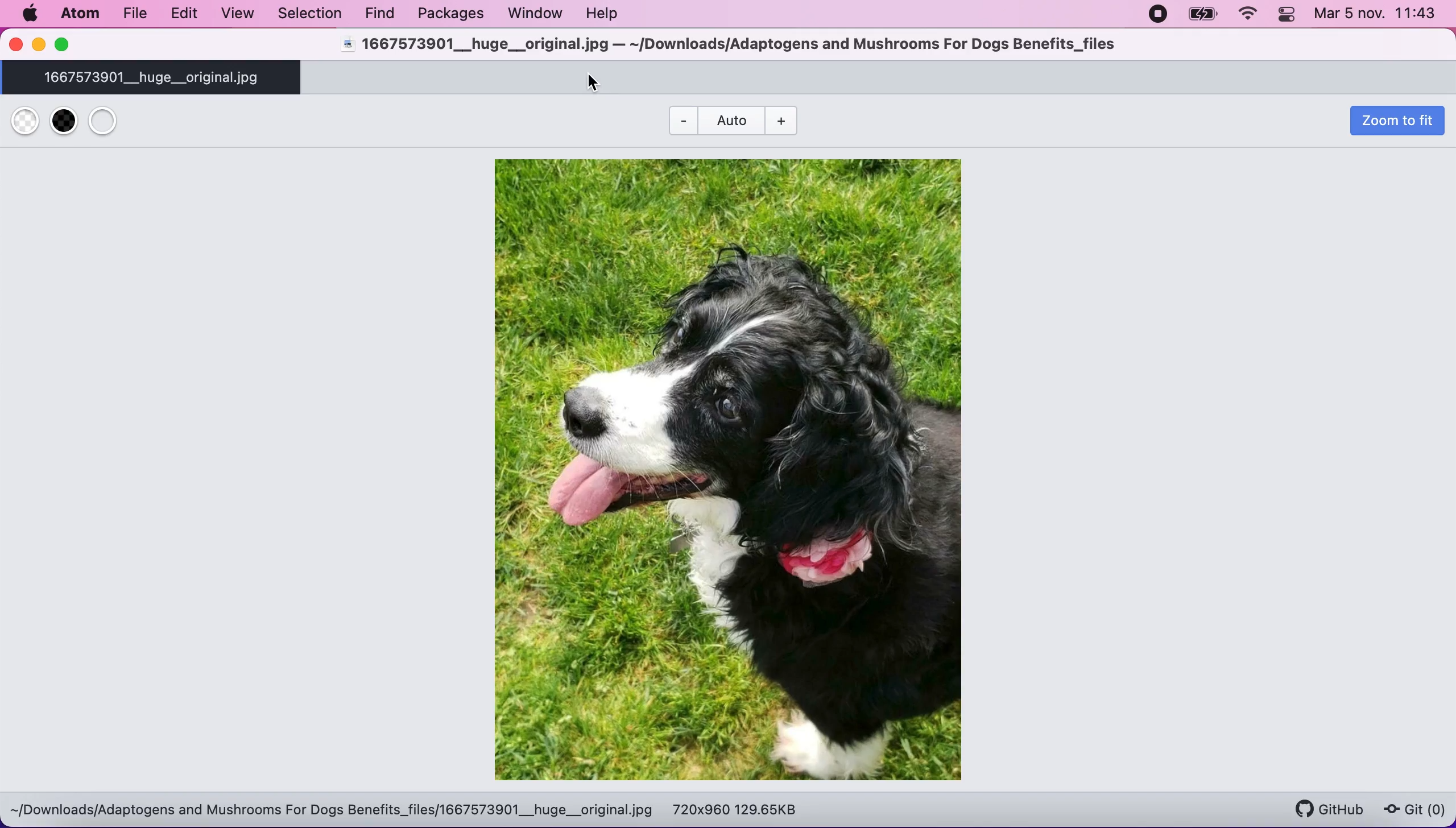 The image size is (1456, 828). Describe the element at coordinates (377, 13) in the screenshot. I see `find` at that location.